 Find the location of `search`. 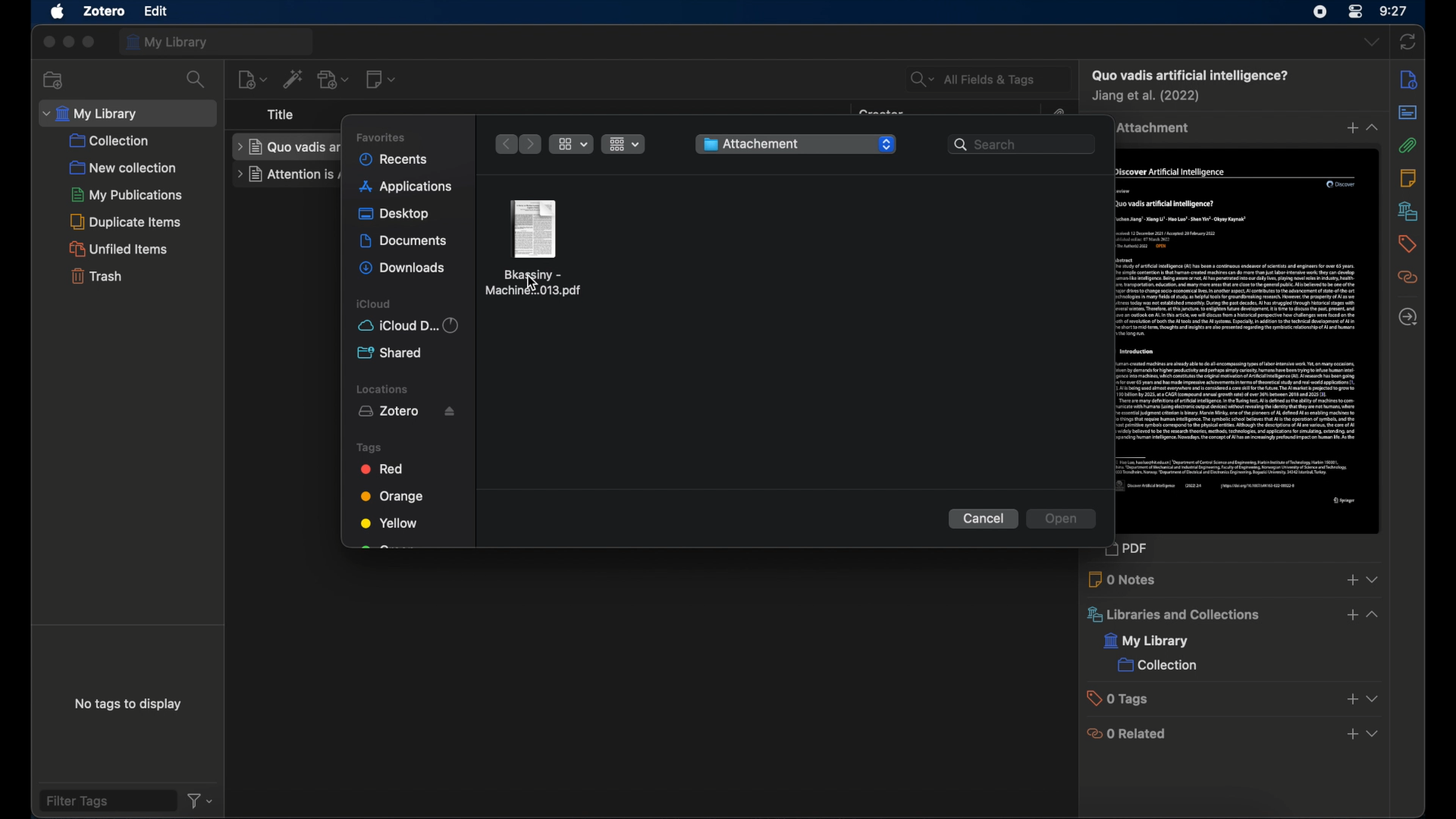

search is located at coordinates (196, 80).